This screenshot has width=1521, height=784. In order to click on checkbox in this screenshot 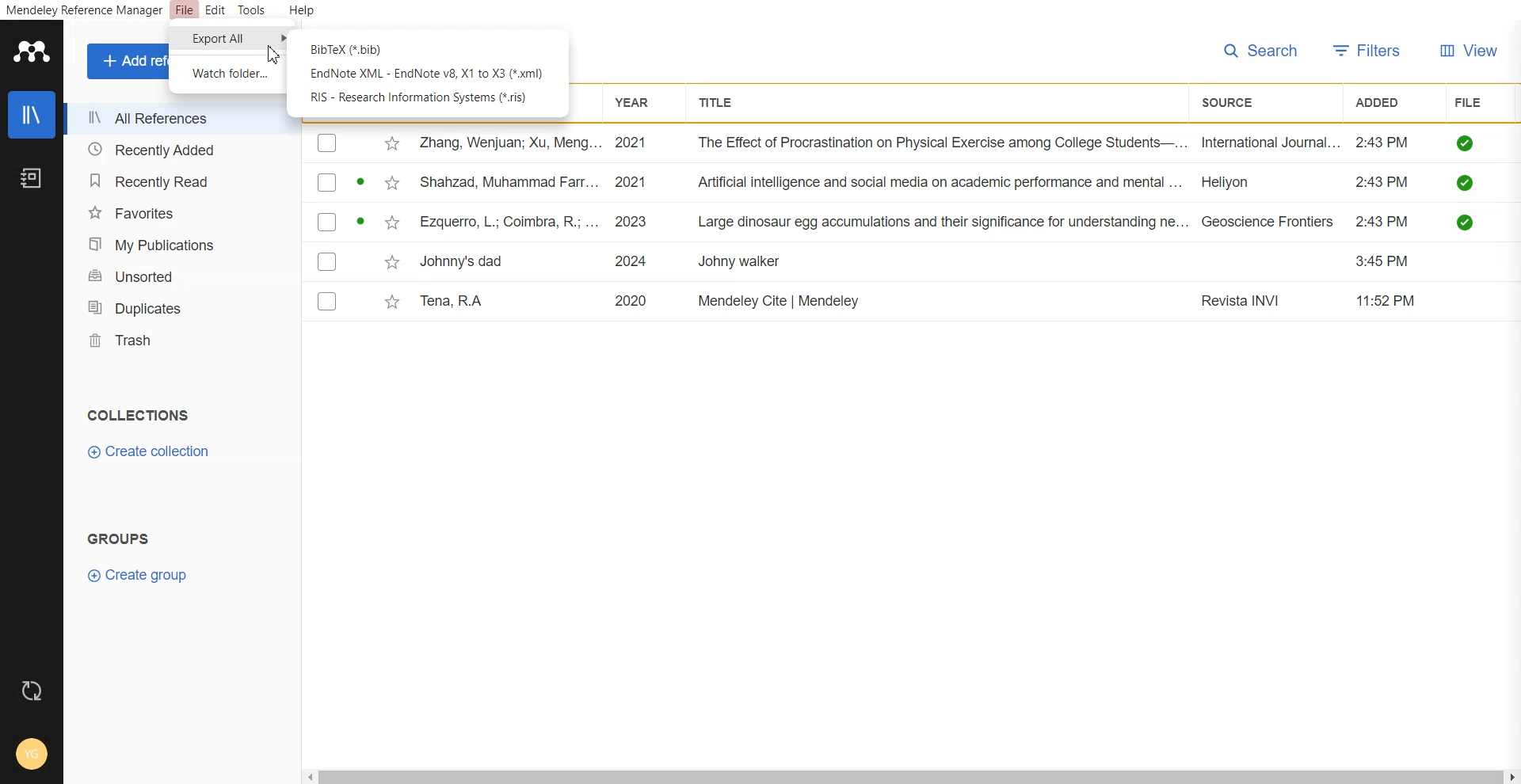, I will do `click(328, 143)`.